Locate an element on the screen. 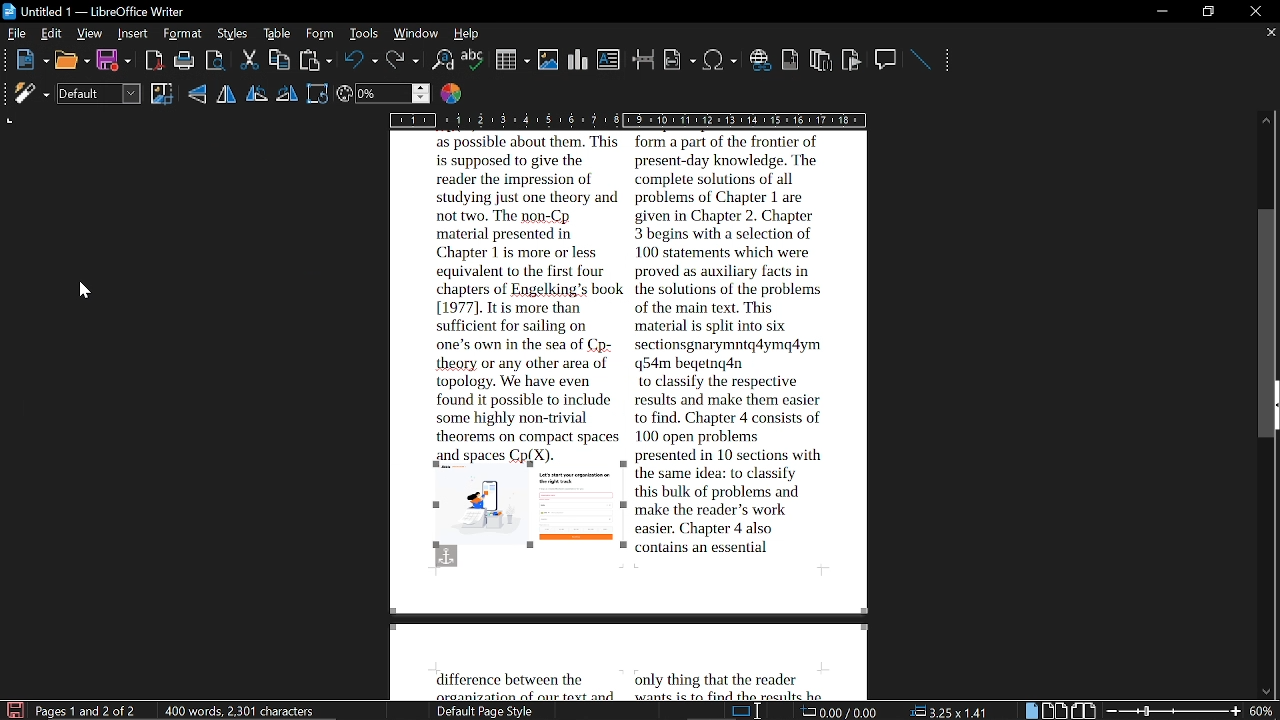  table is located at coordinates (278, 33).